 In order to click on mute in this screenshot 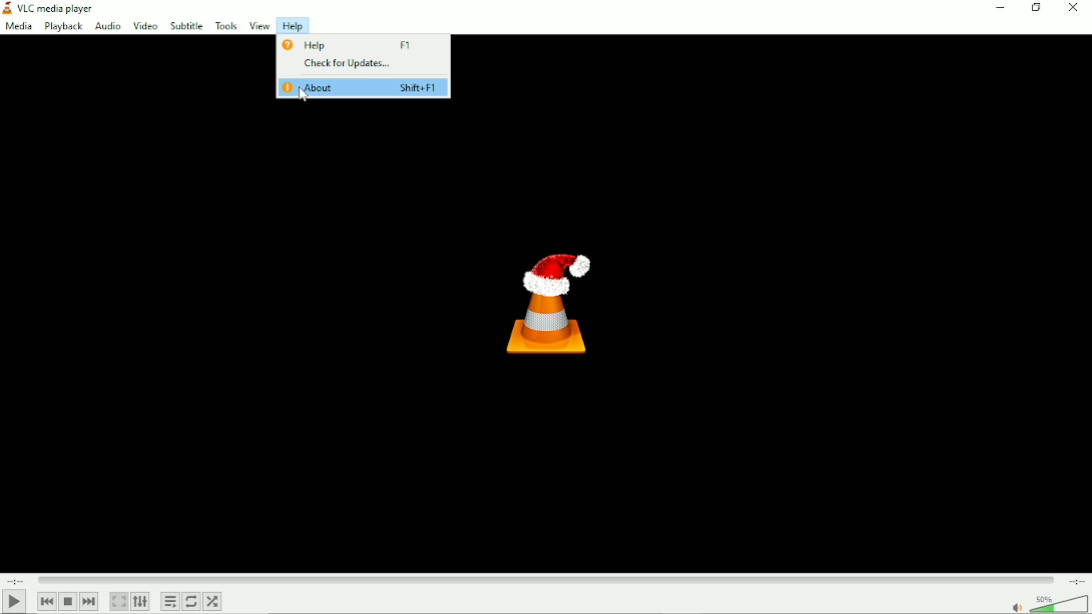, I will do `click(1016, 607)`.